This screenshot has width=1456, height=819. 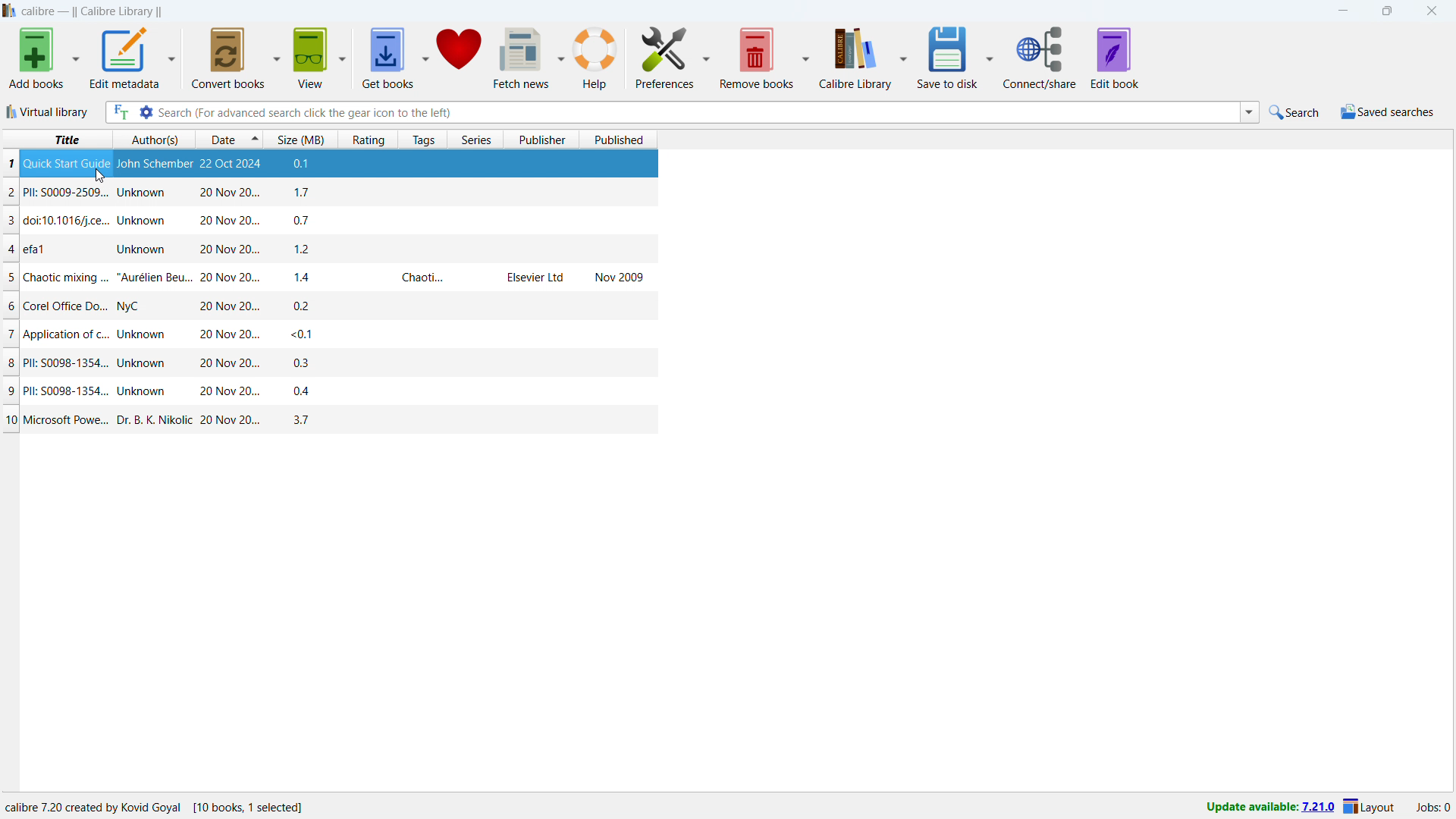 What do you see at coordinates (58, 138) in the screenshot?
I see `sort by title` at bounding box center [58, 138].